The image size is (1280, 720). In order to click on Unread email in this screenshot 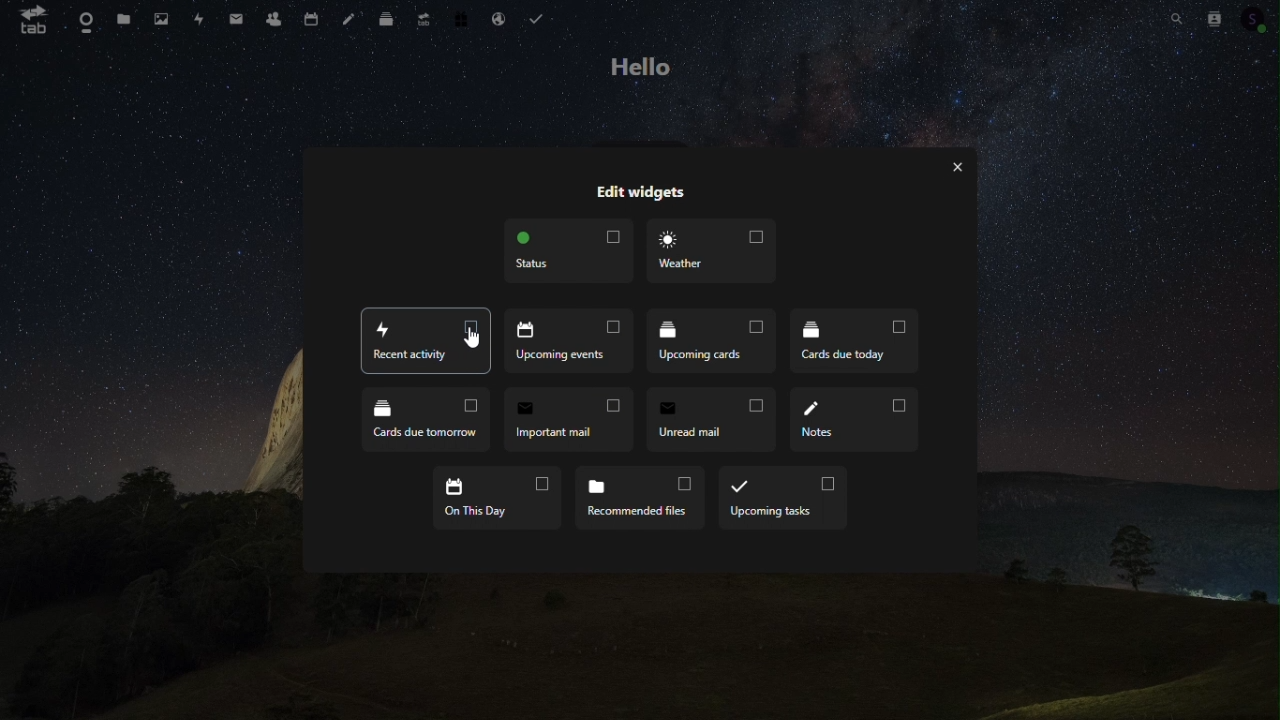, I will do `click(714, 420)`.